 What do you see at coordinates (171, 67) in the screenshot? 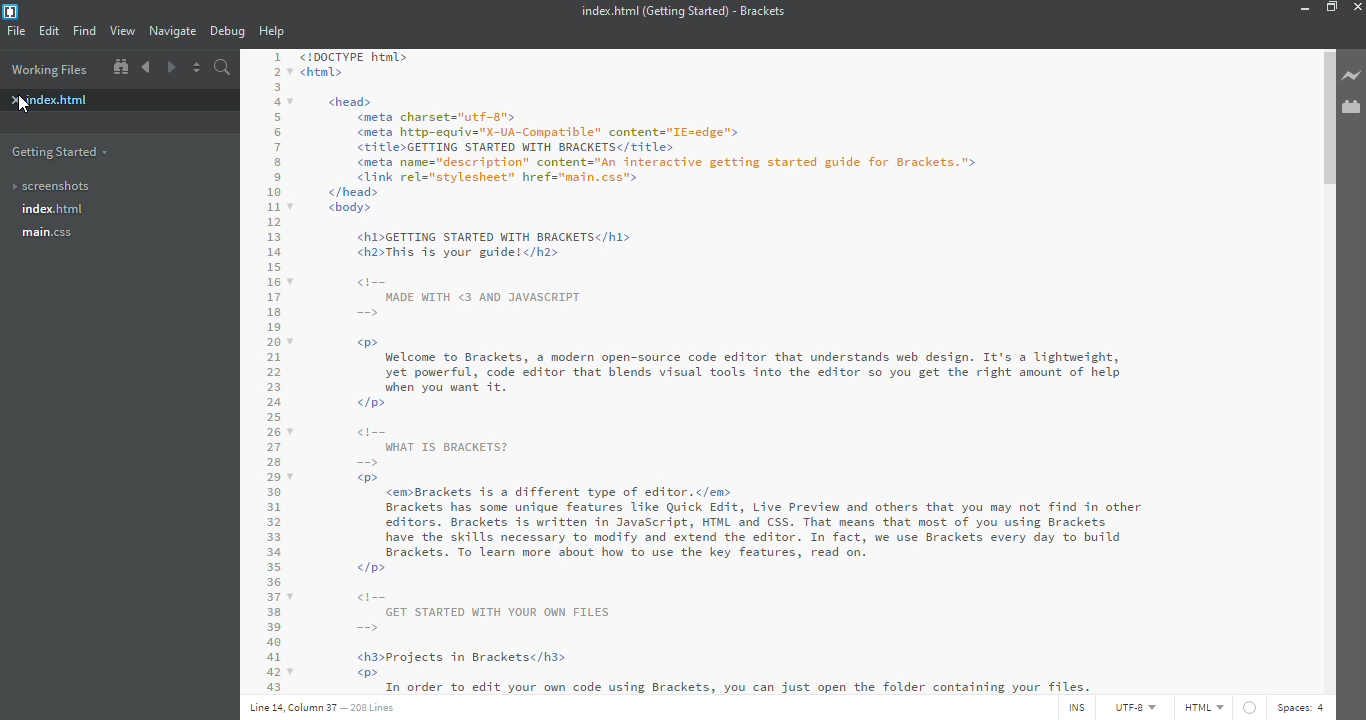
I see `next` at bounding box center [171, 67].